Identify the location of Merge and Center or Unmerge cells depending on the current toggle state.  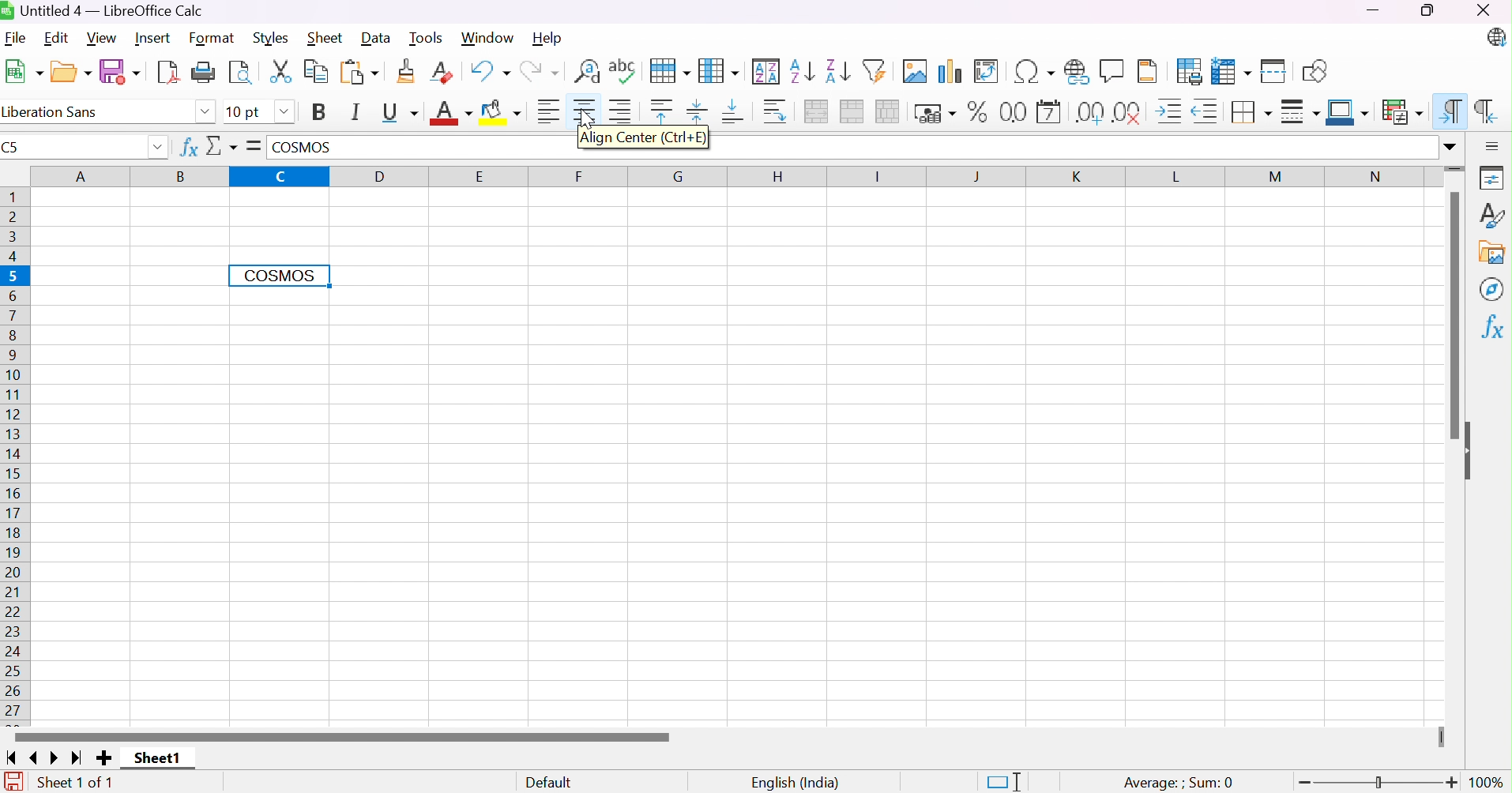
(815, 111).